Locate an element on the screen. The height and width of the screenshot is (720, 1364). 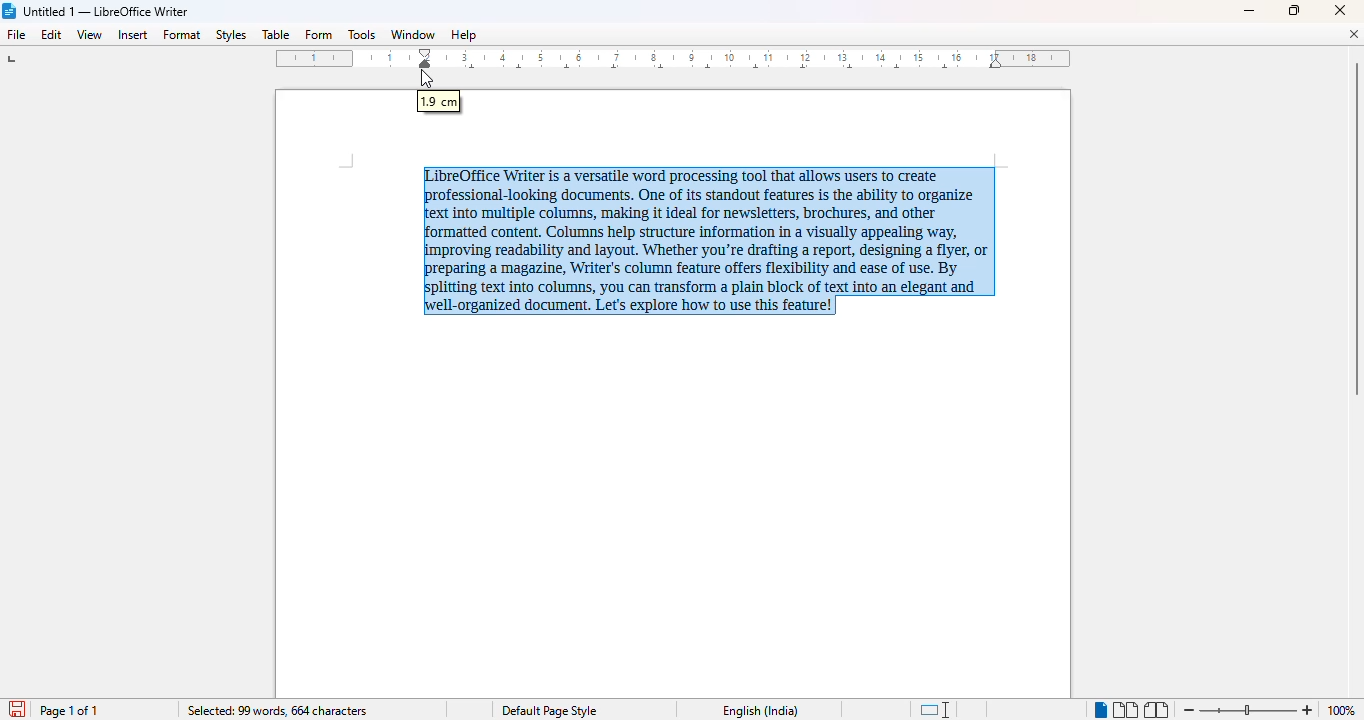
selected: 99 words 664 characters is located at coordinates (278, 711).